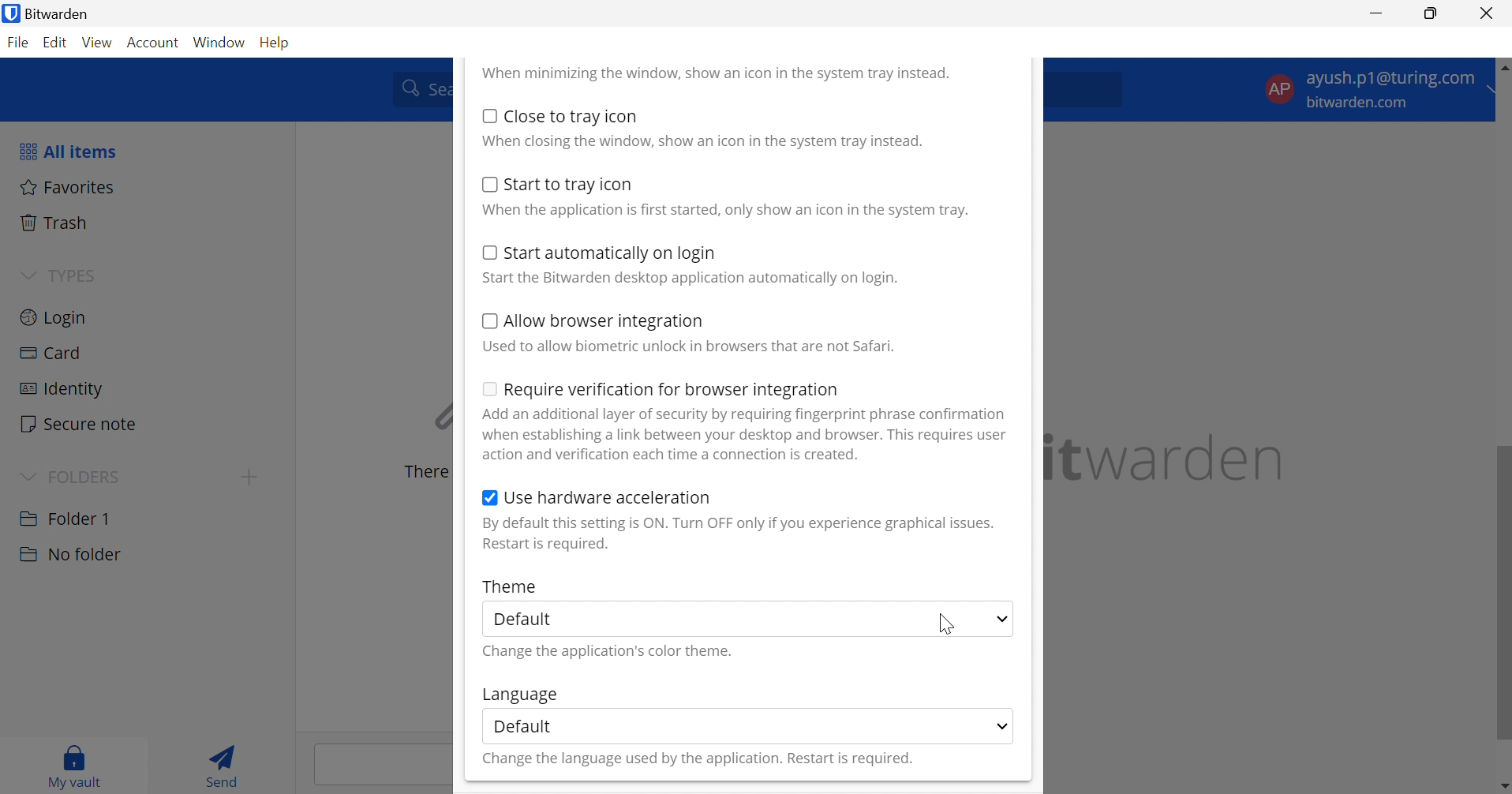 This screenshot has width=1512, height=794. Describe the element at coordinates (1489, 13) in the screenshot. I see `Close` at that location.